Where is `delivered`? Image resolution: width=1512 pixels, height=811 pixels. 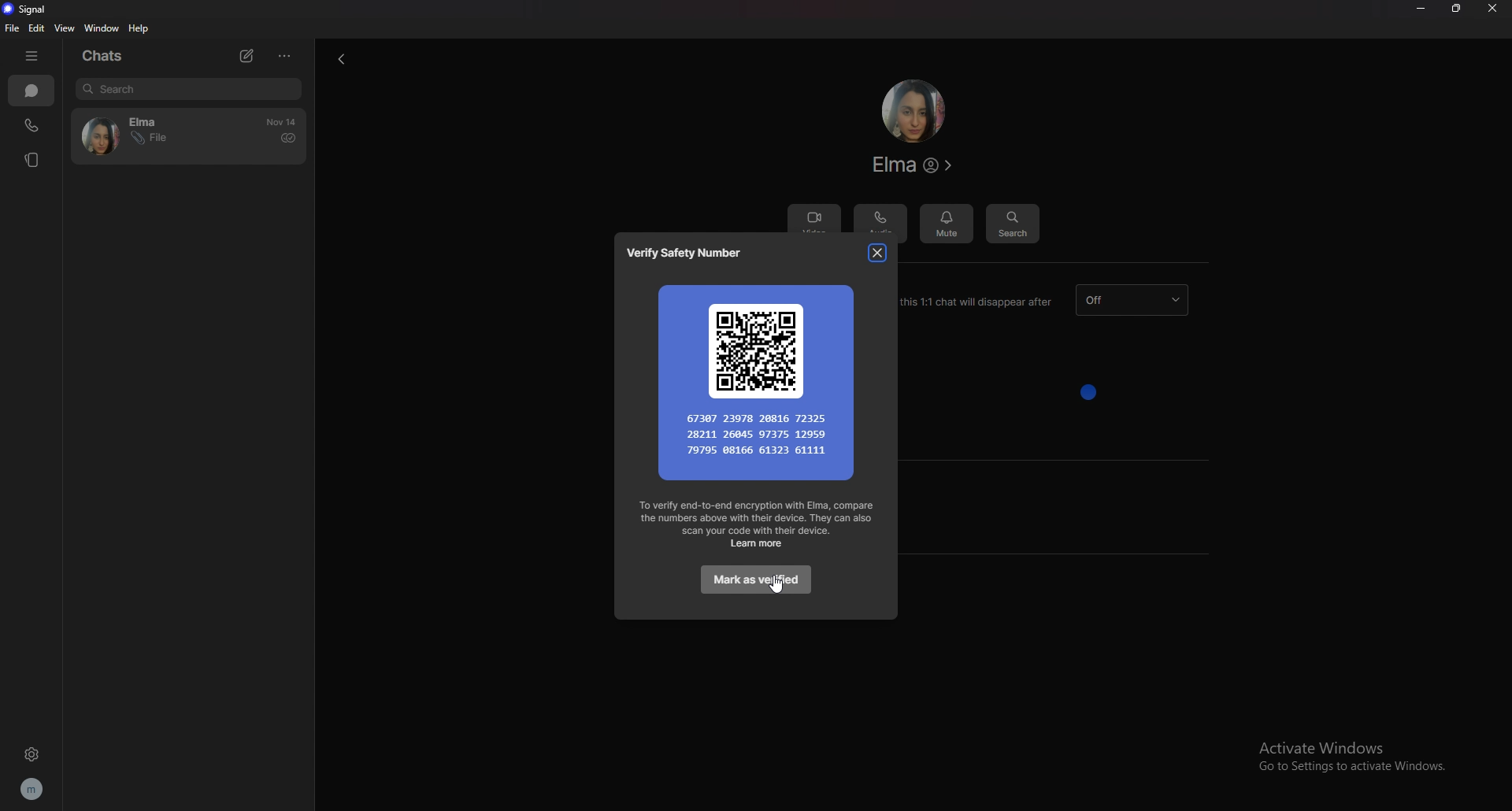 delivered is located at coordinates (287, 138).